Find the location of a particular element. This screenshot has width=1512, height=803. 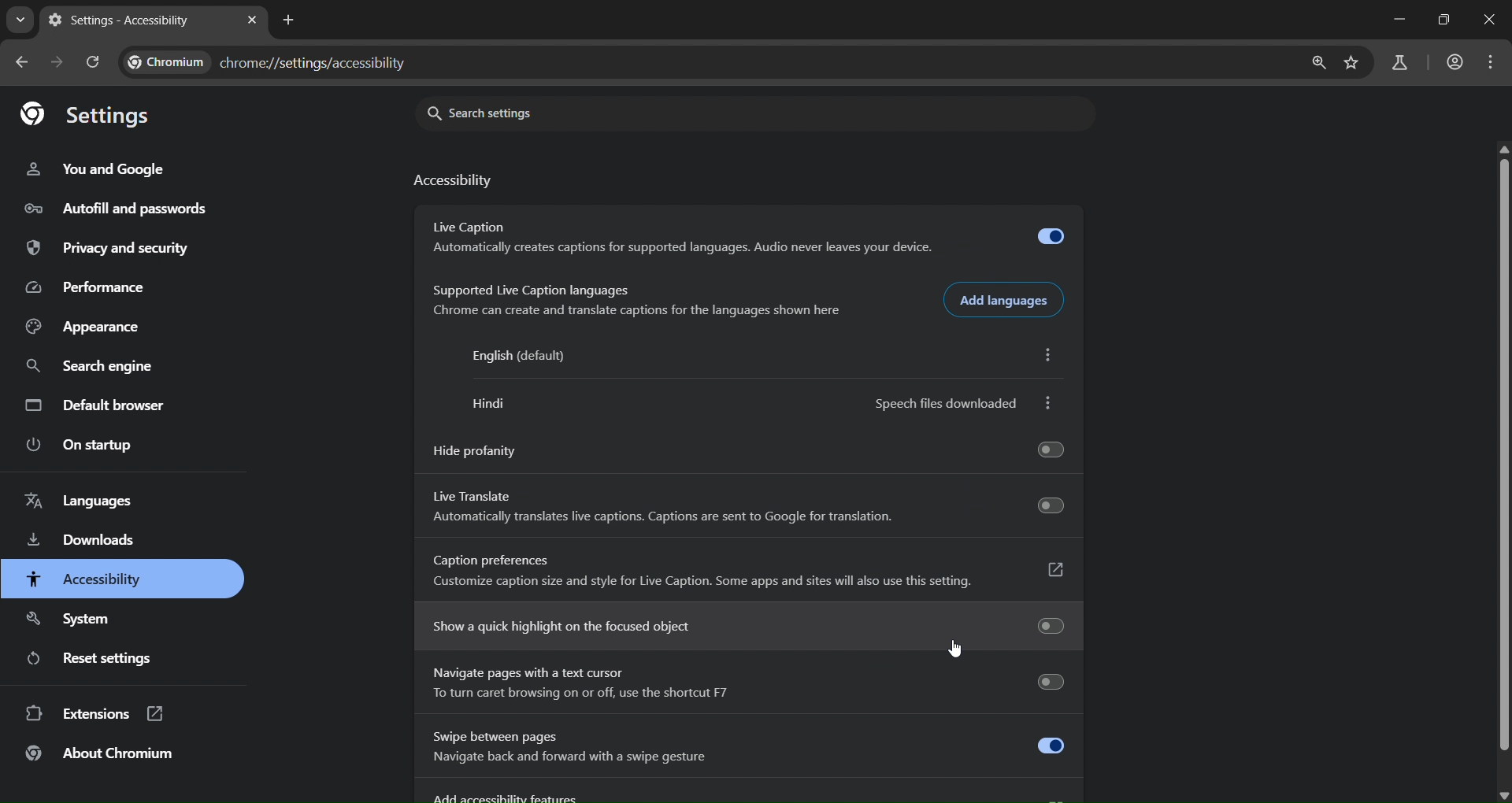

search engine is located at coordinates (91, 368).